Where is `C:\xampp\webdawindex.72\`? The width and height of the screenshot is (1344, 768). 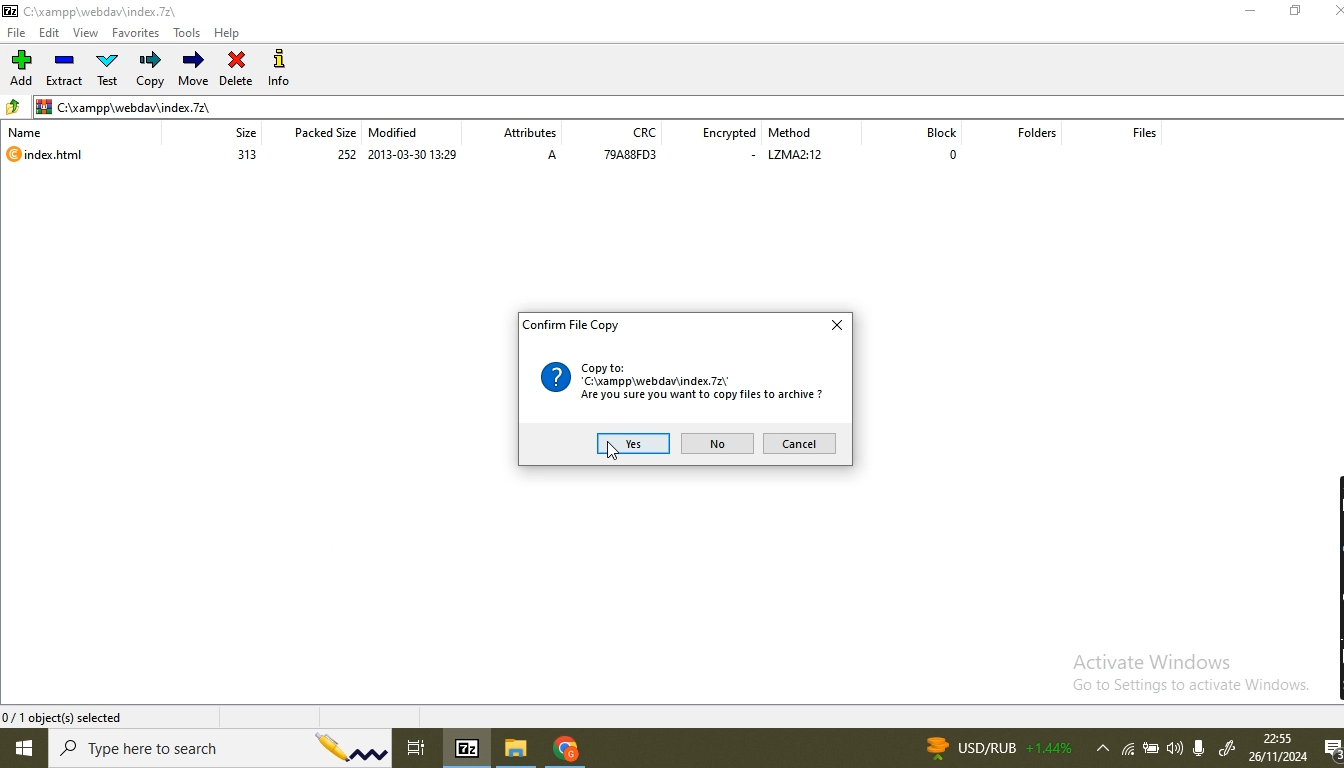 C:\xampp\webdawindex.72\ is located at coordinates (100, 9).